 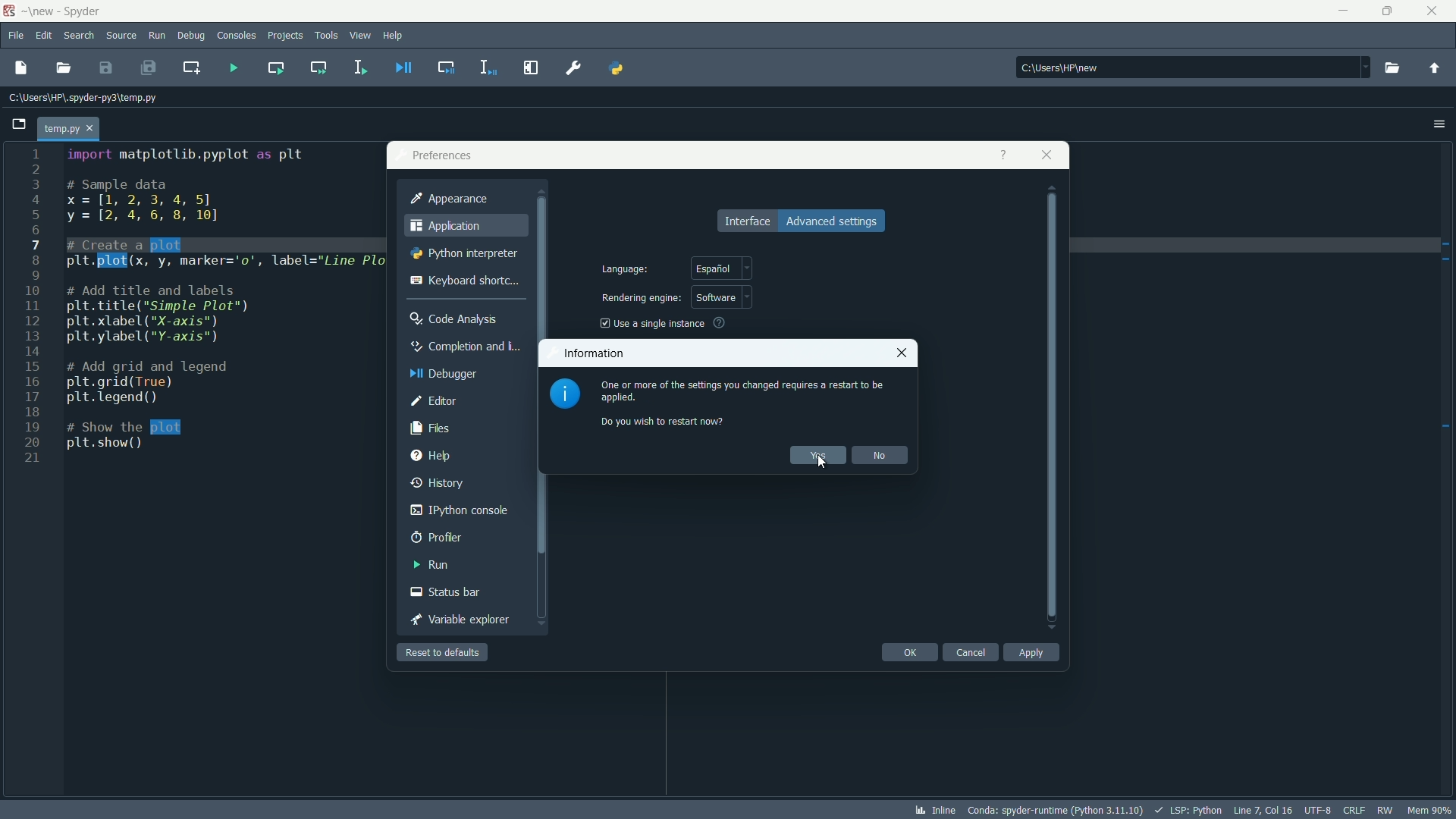 What do you see at coordinates (431, 456) in the screenshot?
I see `help` at bounding box center [431, 456].